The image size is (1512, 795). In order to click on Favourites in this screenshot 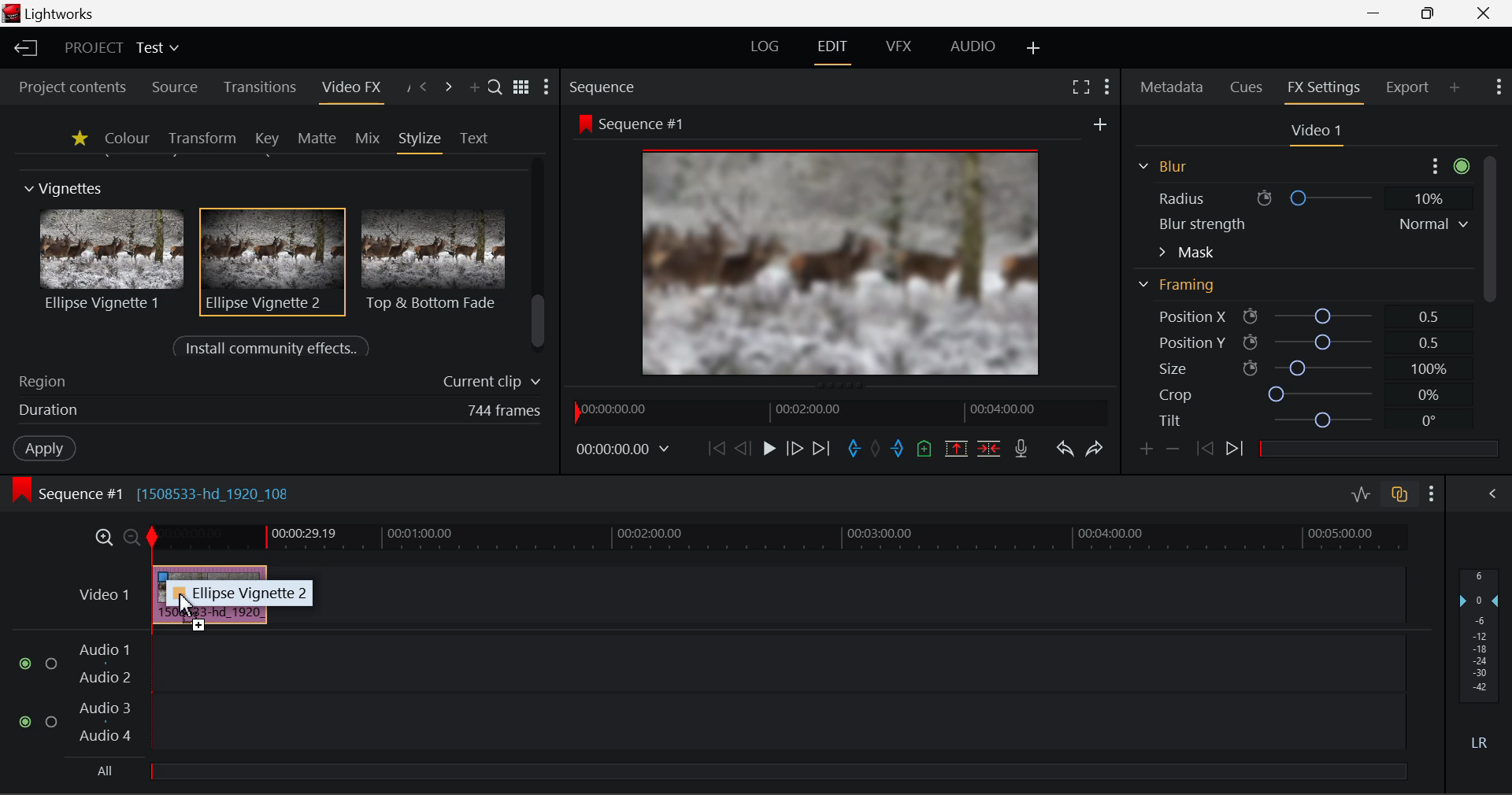, I will do `click(77, 138)`.